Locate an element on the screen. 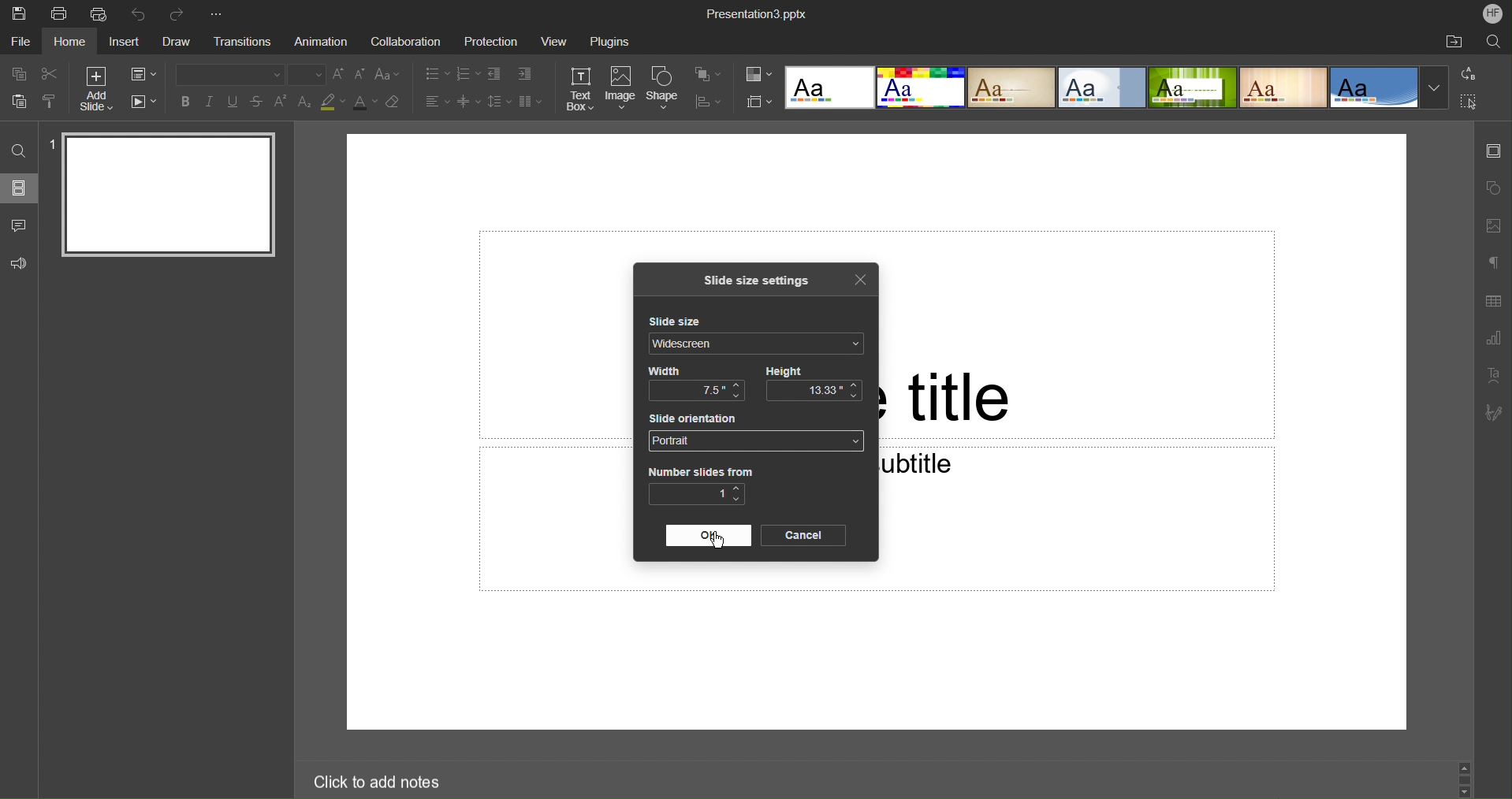 The image size is (1512, 799). Select All is located at coordinates (1470, 102).